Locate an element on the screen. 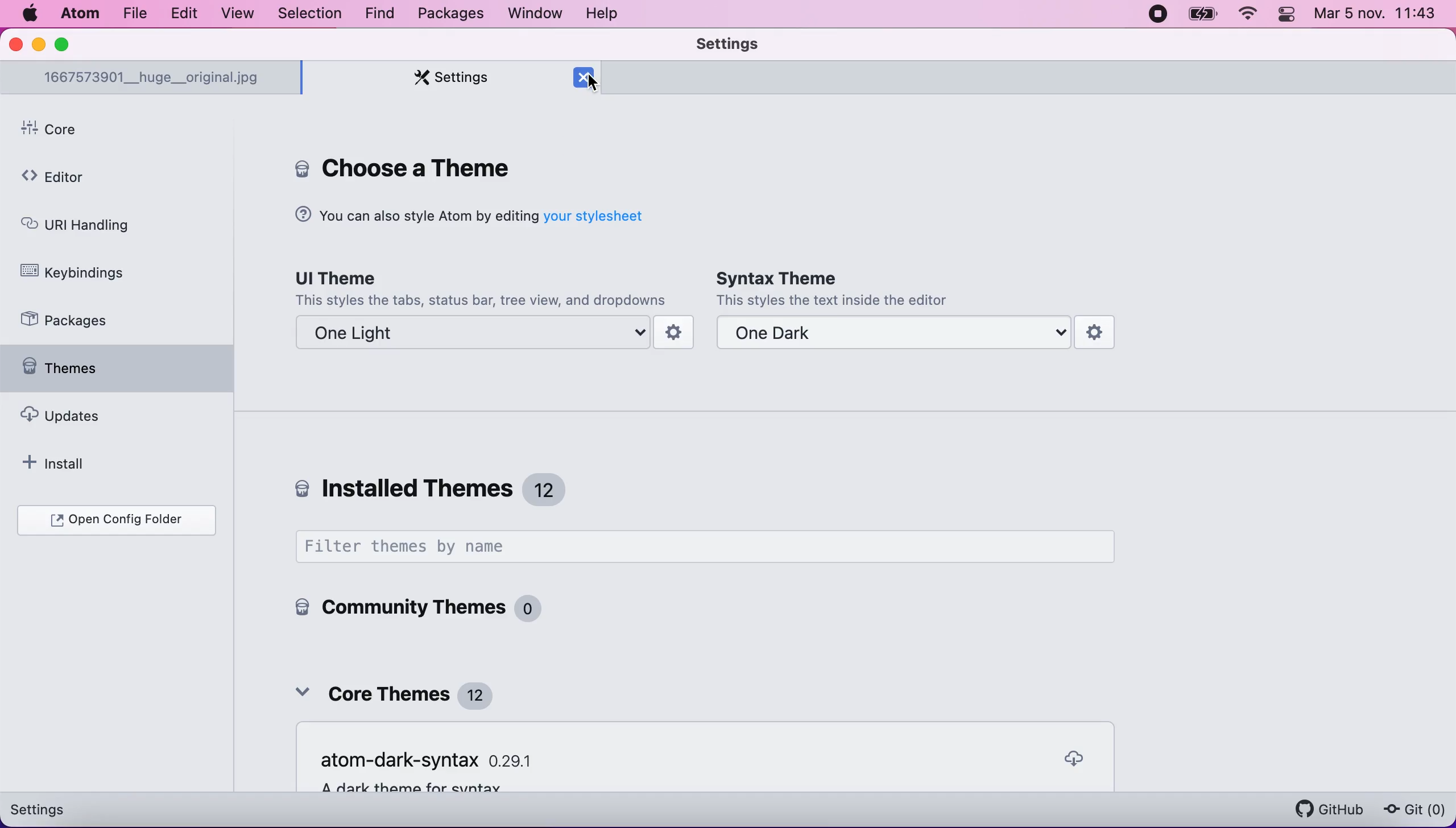 This screenshot has width=1456, height=828. install is located at coordinates (77, 465).